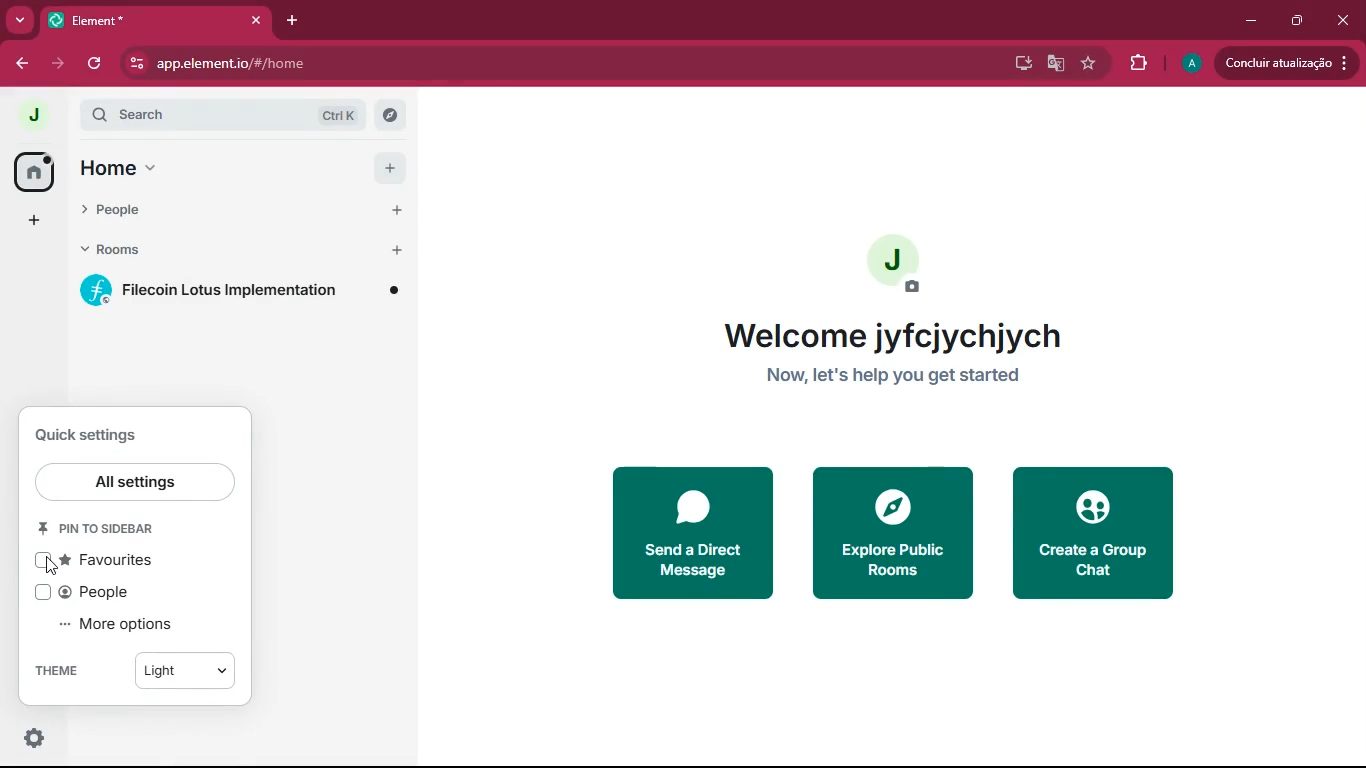 This screenshot has width=1366, height=768. I want to click on more options, so click(124, 624).